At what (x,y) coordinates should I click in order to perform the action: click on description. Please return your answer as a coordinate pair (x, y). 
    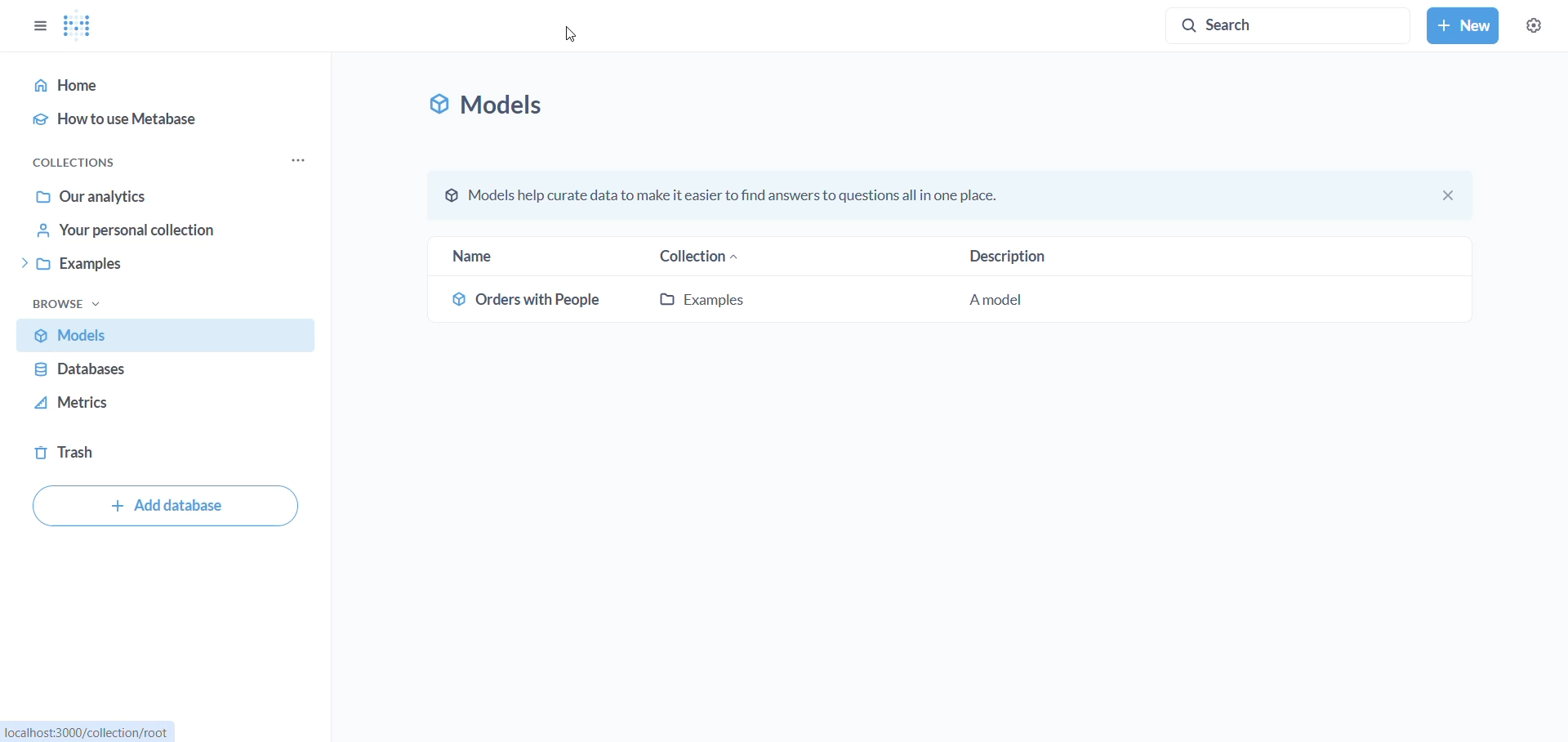
    Looking at the image, I should click on (1043, 300).